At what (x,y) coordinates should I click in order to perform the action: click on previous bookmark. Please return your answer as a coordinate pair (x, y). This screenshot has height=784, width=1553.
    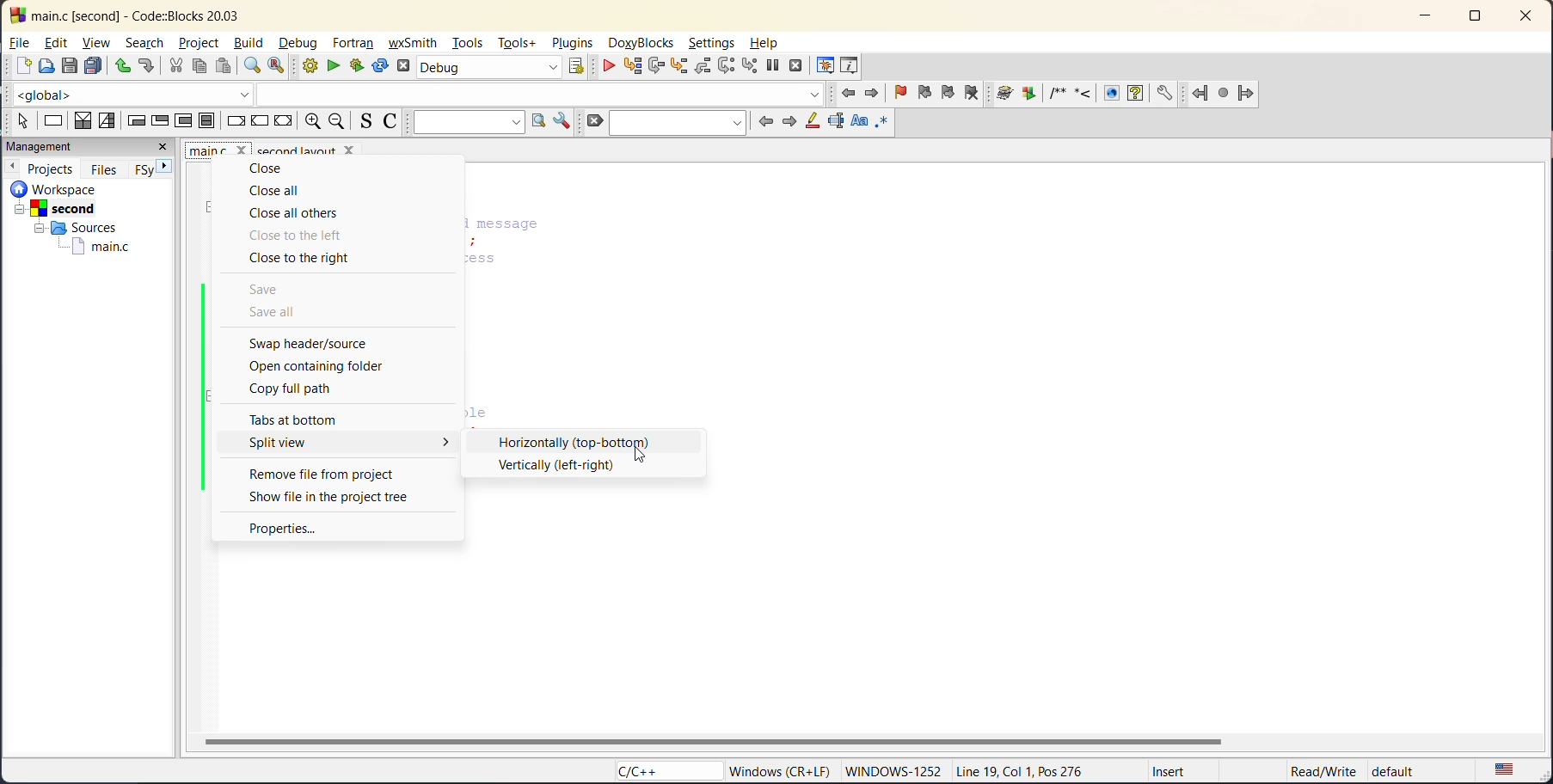
    Looking at the image, I should click on (924, 95).